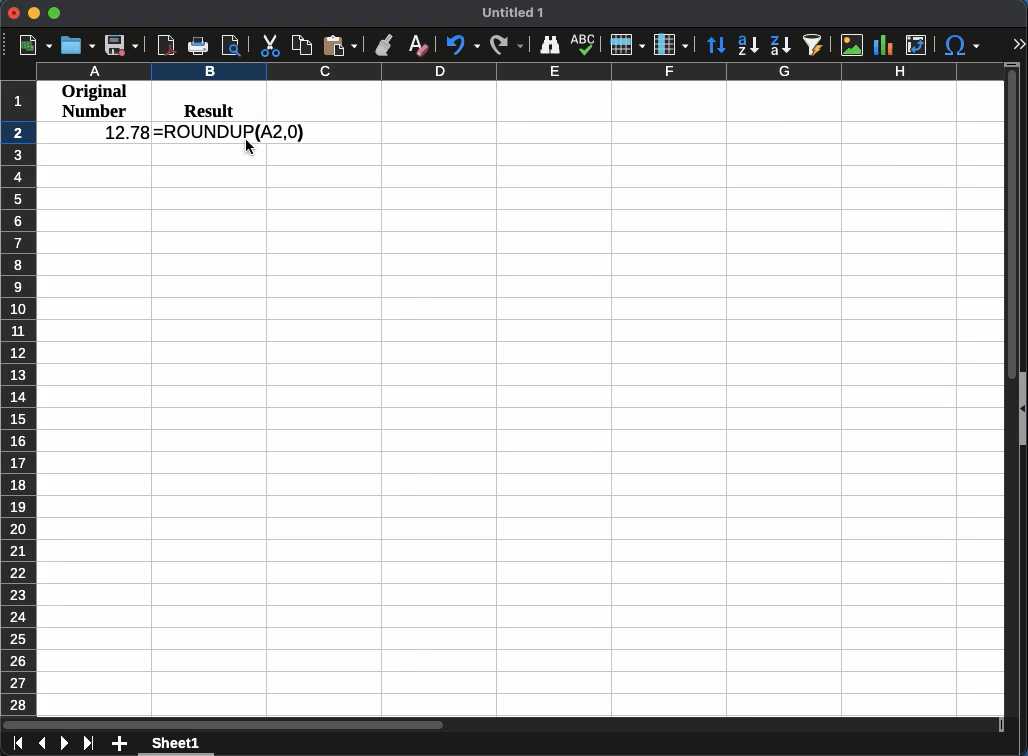  Describe the element at coordinates (271, 46) in the screenshot. I see `cut` at that location.